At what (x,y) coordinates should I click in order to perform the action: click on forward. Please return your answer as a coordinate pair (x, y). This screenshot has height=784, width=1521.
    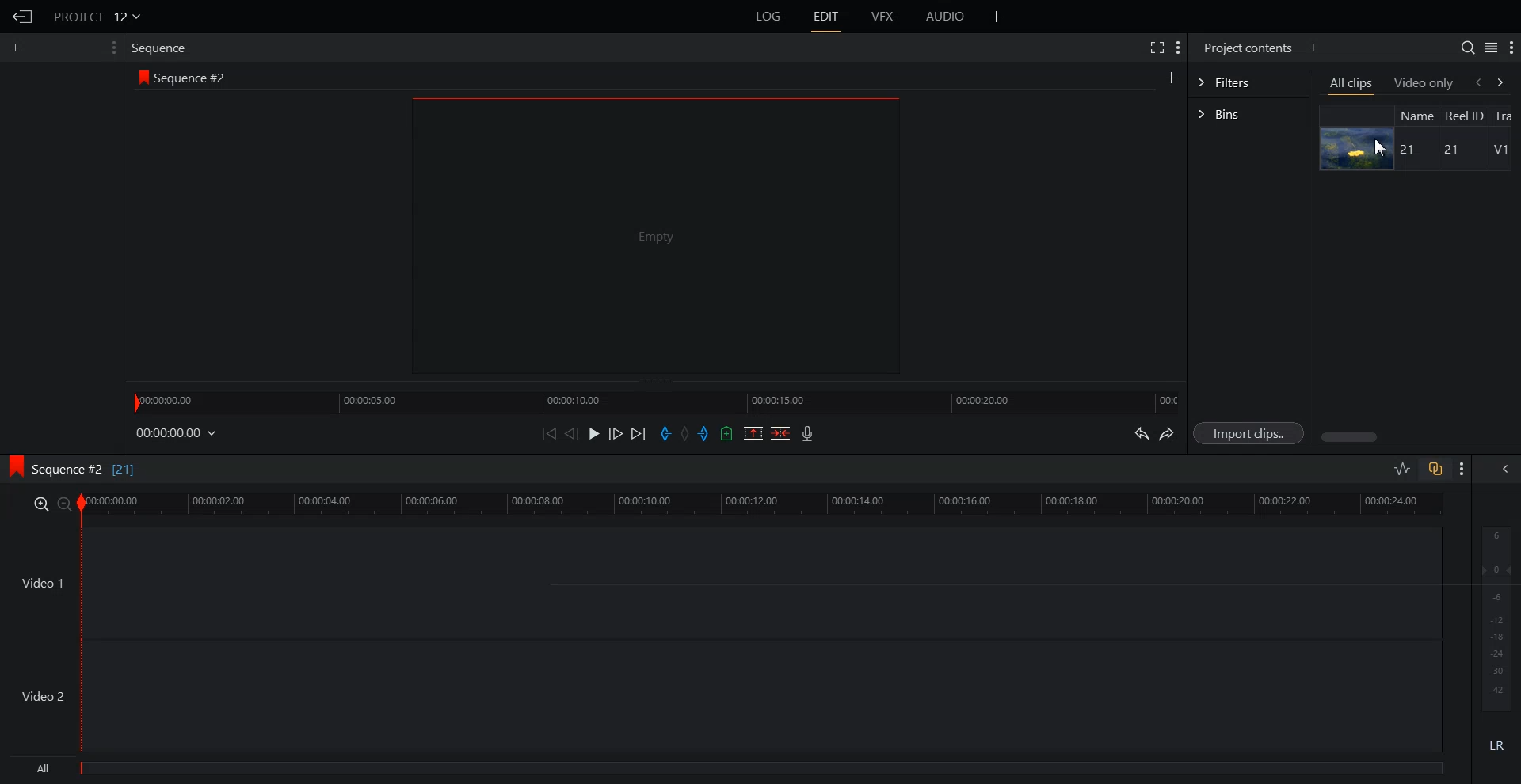
    Looking at the image, I should click on (1507, 82).